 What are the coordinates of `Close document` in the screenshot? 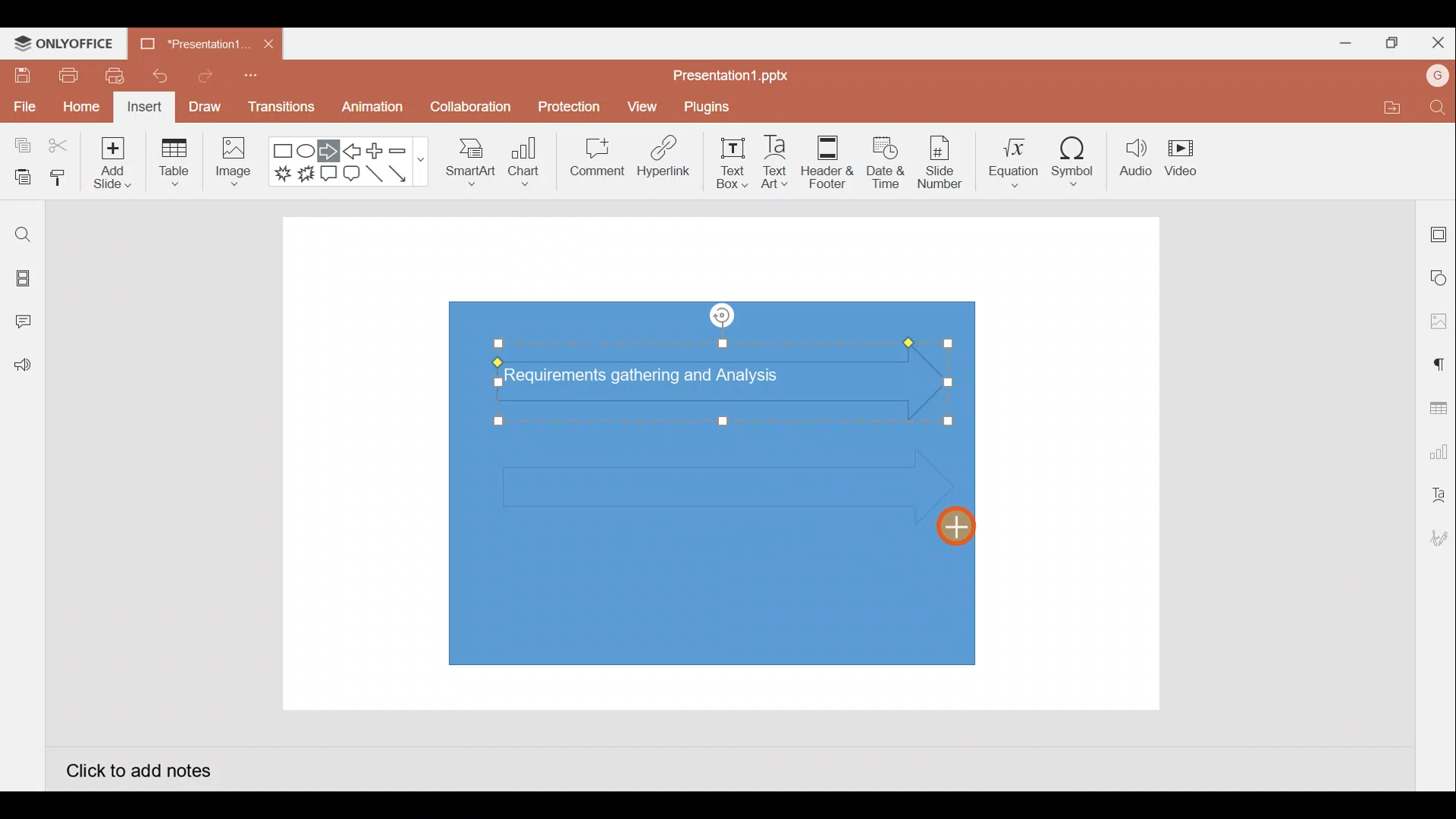 It's located at (268, 40).